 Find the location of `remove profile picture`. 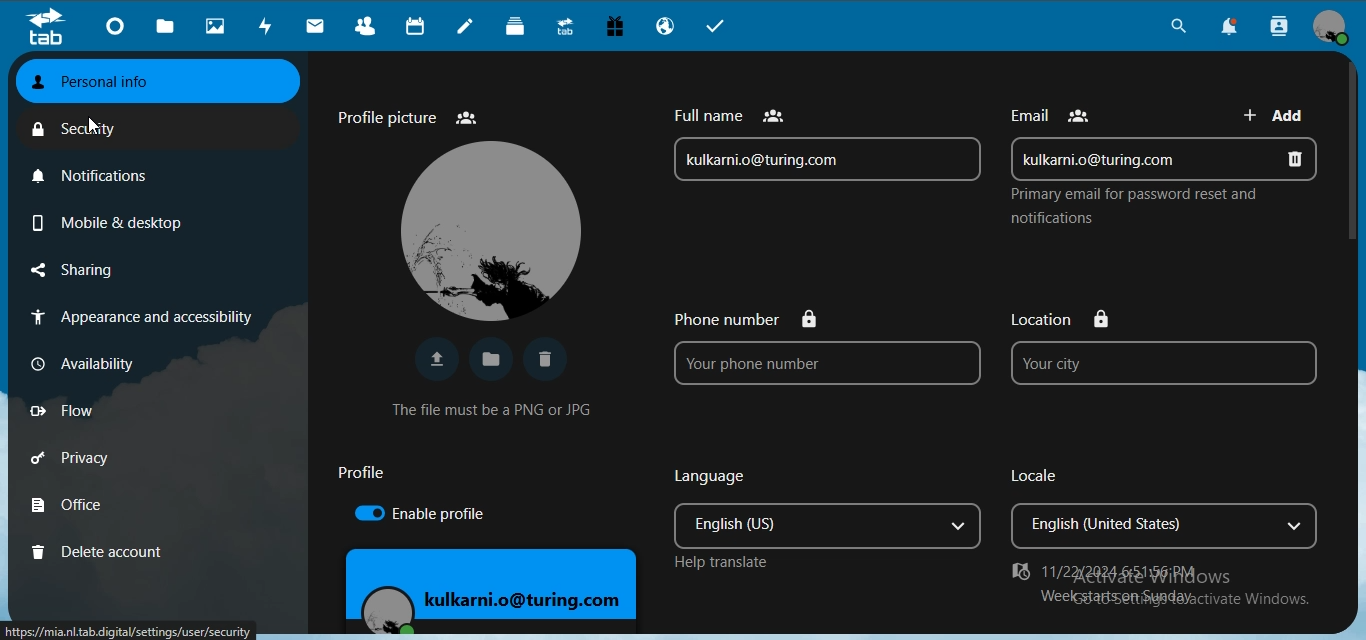

remove profile picture is located at coordinates (549, 360).